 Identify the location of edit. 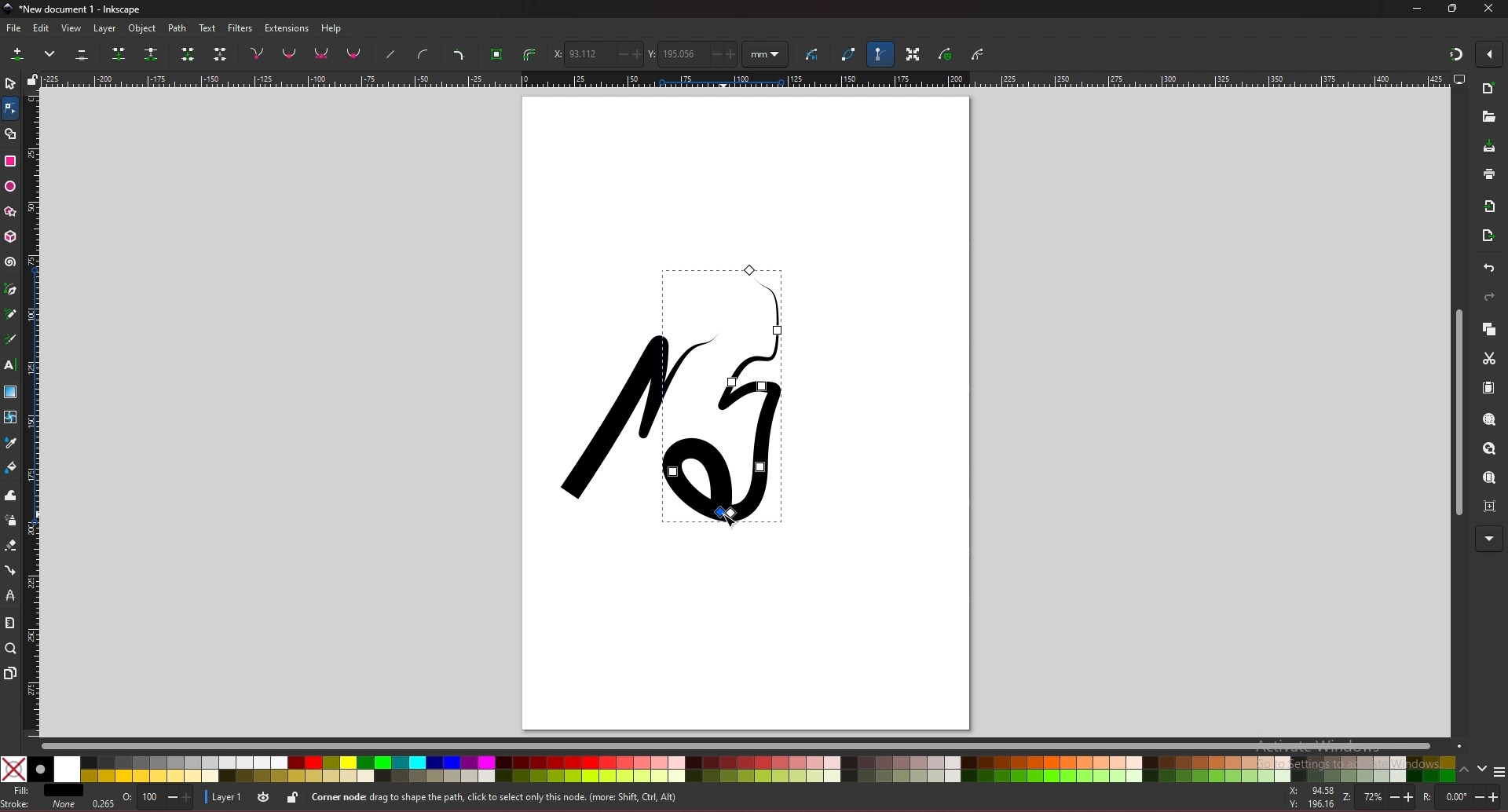
(42, 28).